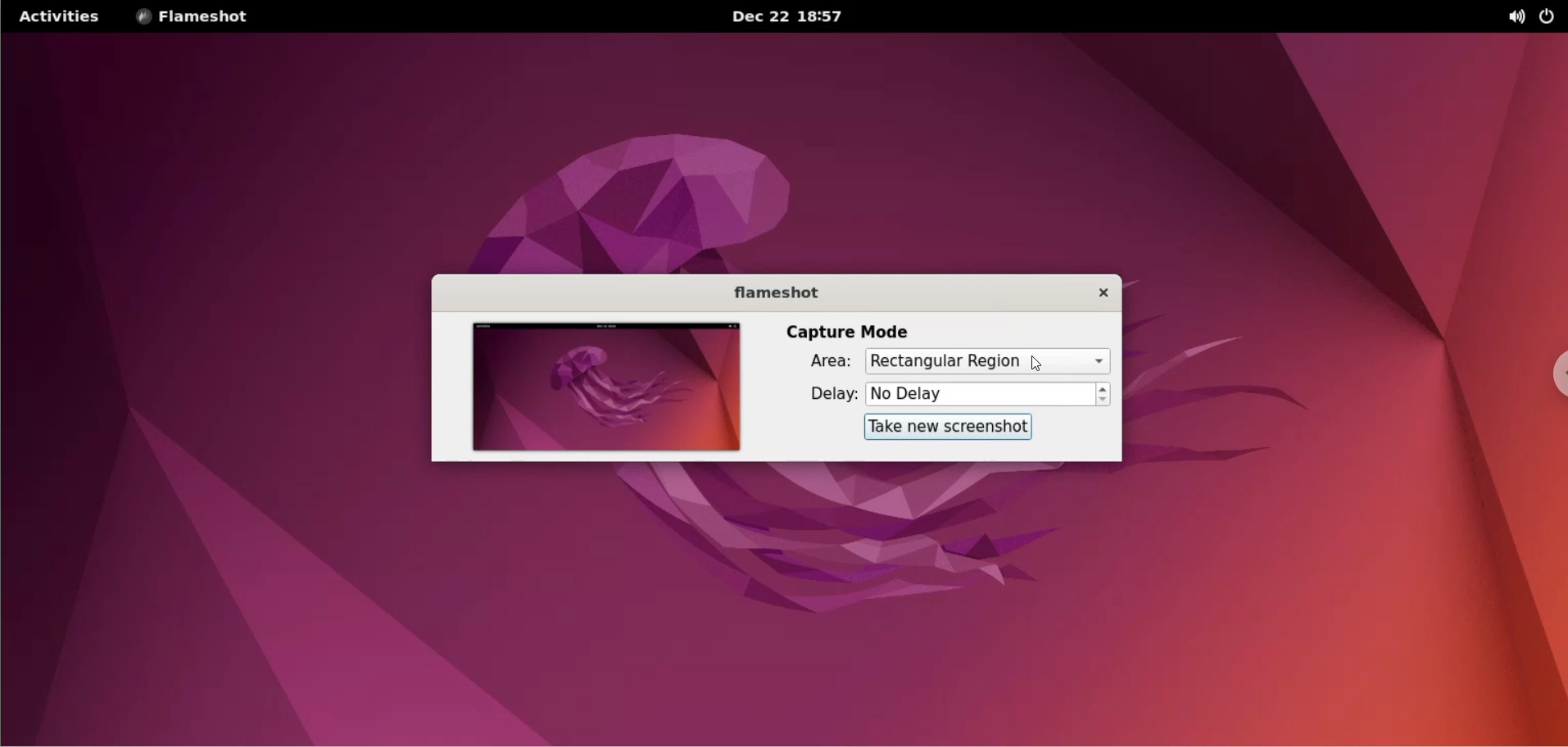 This screenshot has width=1568, height=747. Describe the element at coordinates (1551, 16) in the screenshot. I see `power options navigations` at that location.